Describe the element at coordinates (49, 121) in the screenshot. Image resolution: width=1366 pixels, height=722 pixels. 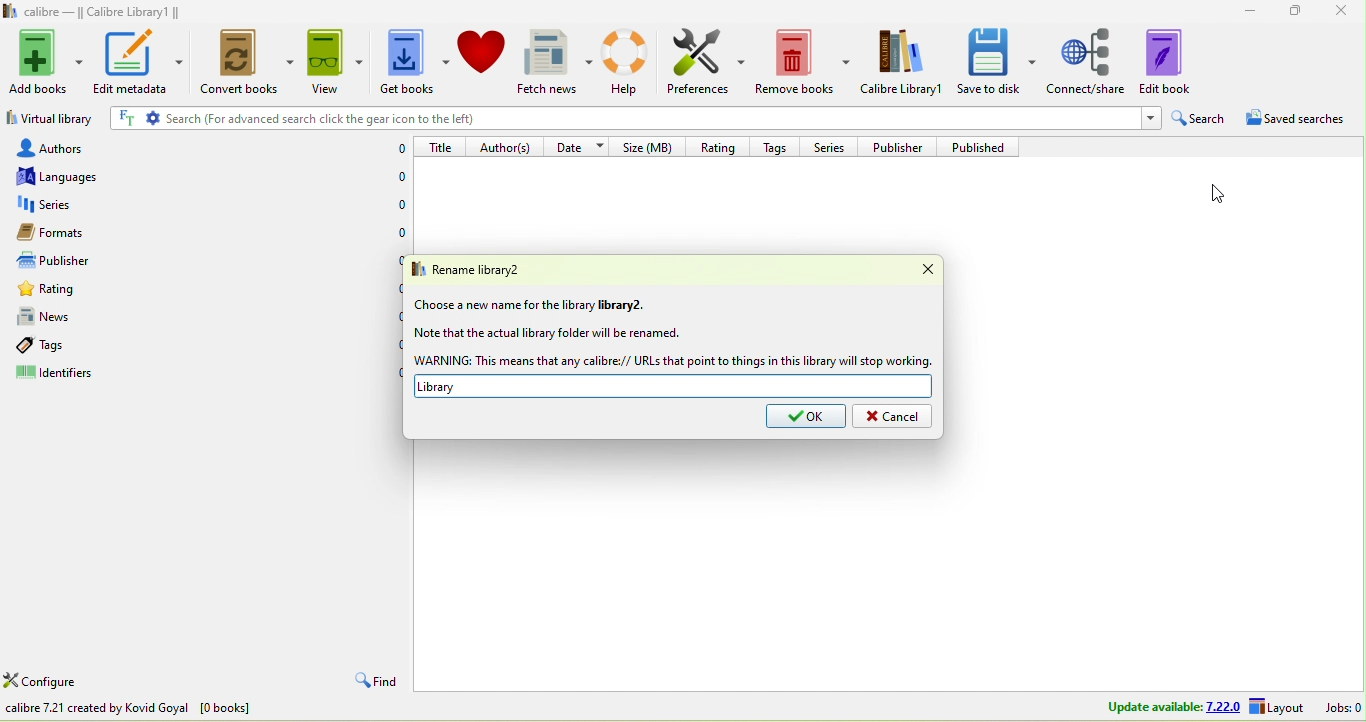
I see `virtual library` at that location.